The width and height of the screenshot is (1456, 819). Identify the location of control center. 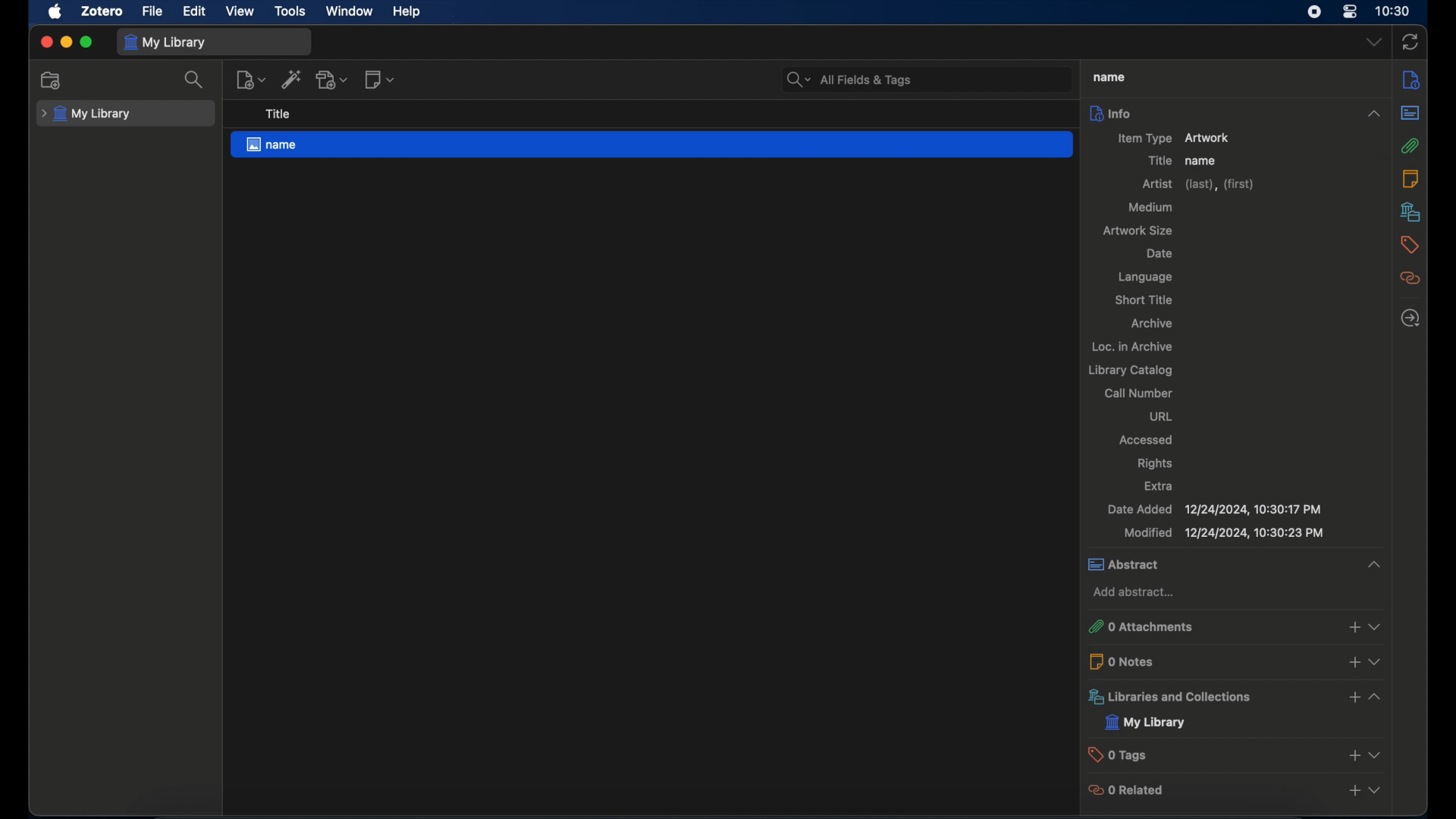
(1350, 12).